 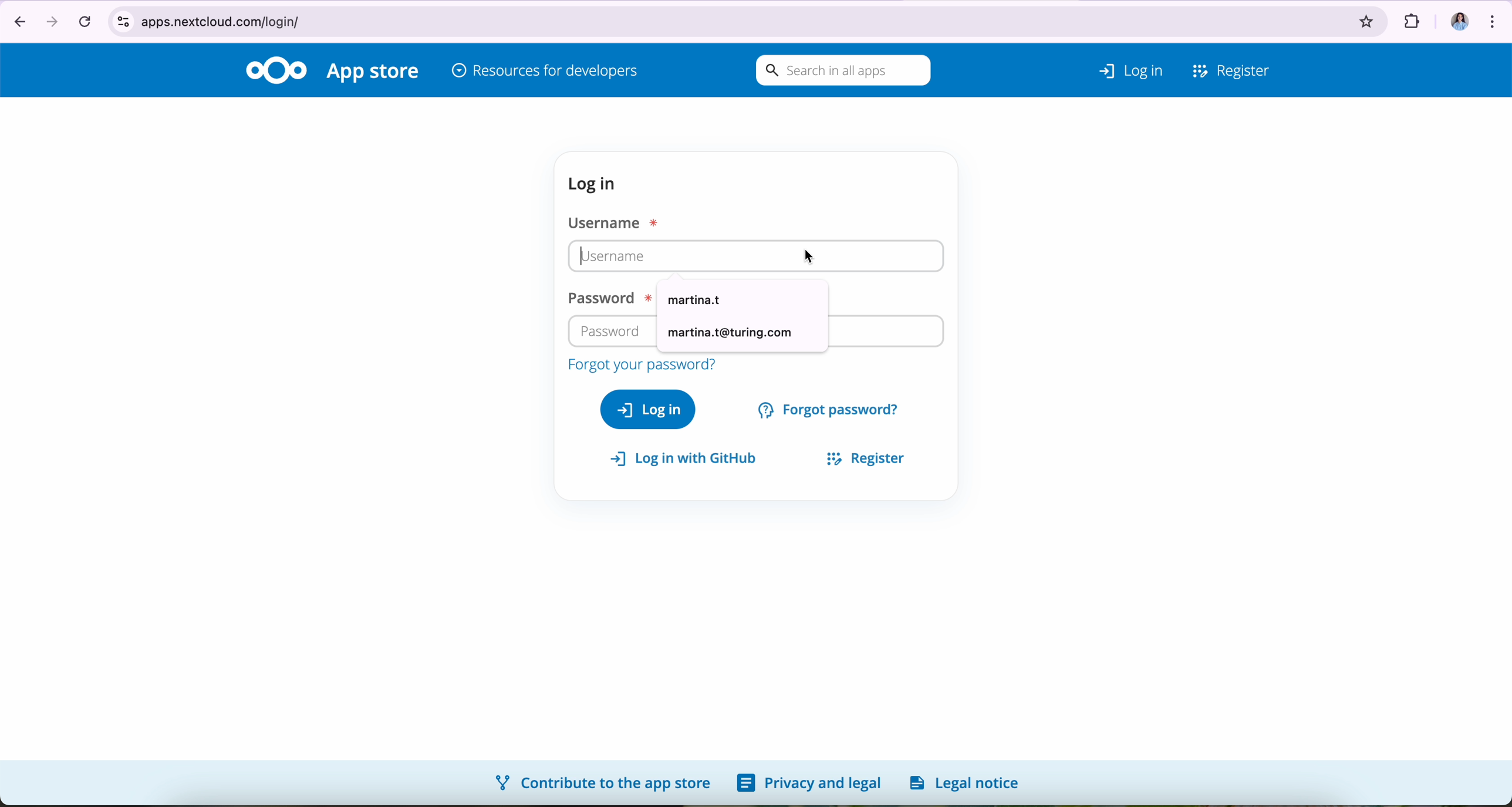 I want to click on appstore, so click(x=375, y=73).